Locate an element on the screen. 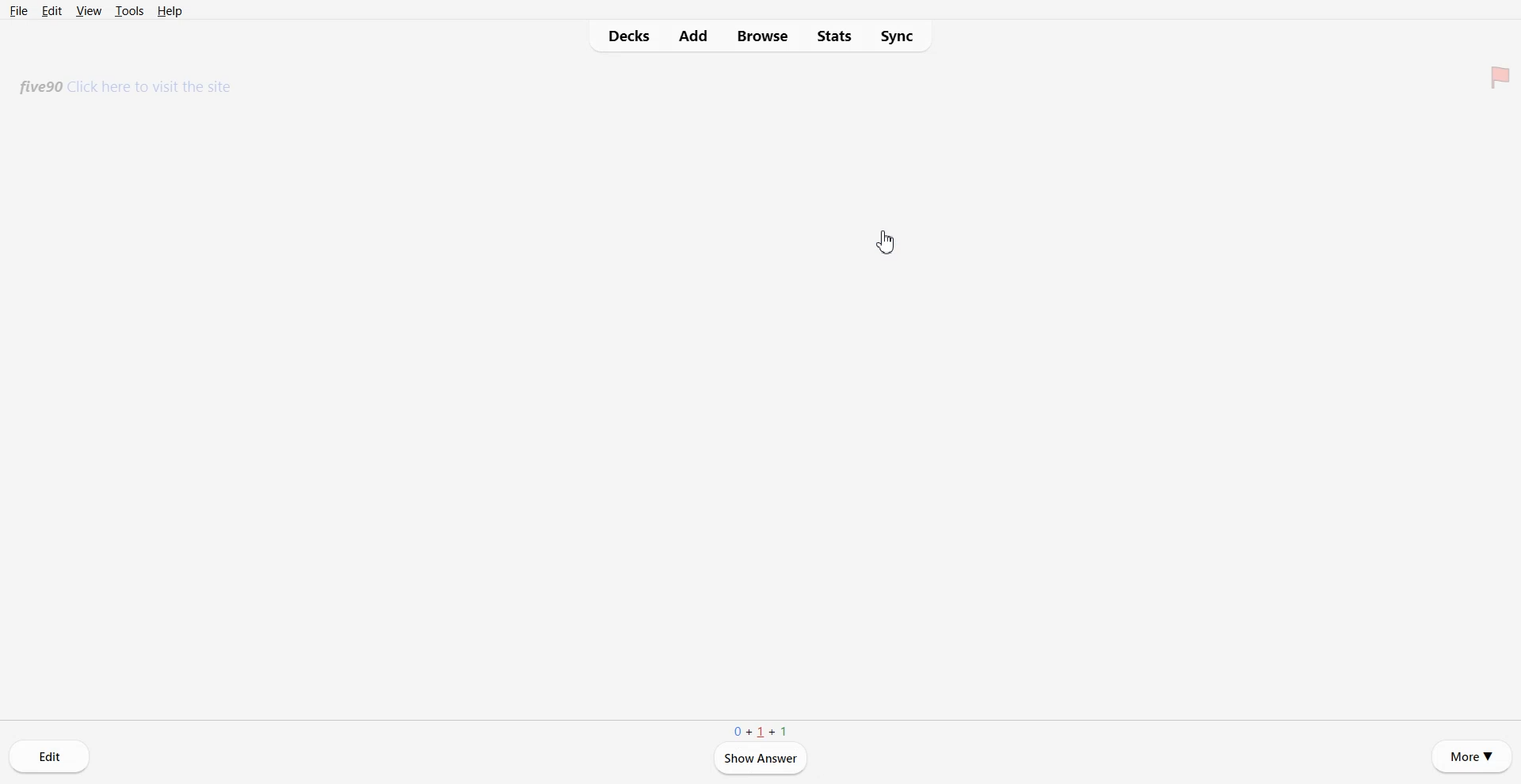 The height and width of the screenshot is (784, 1521). Edit is located at coordinates (51, 10).